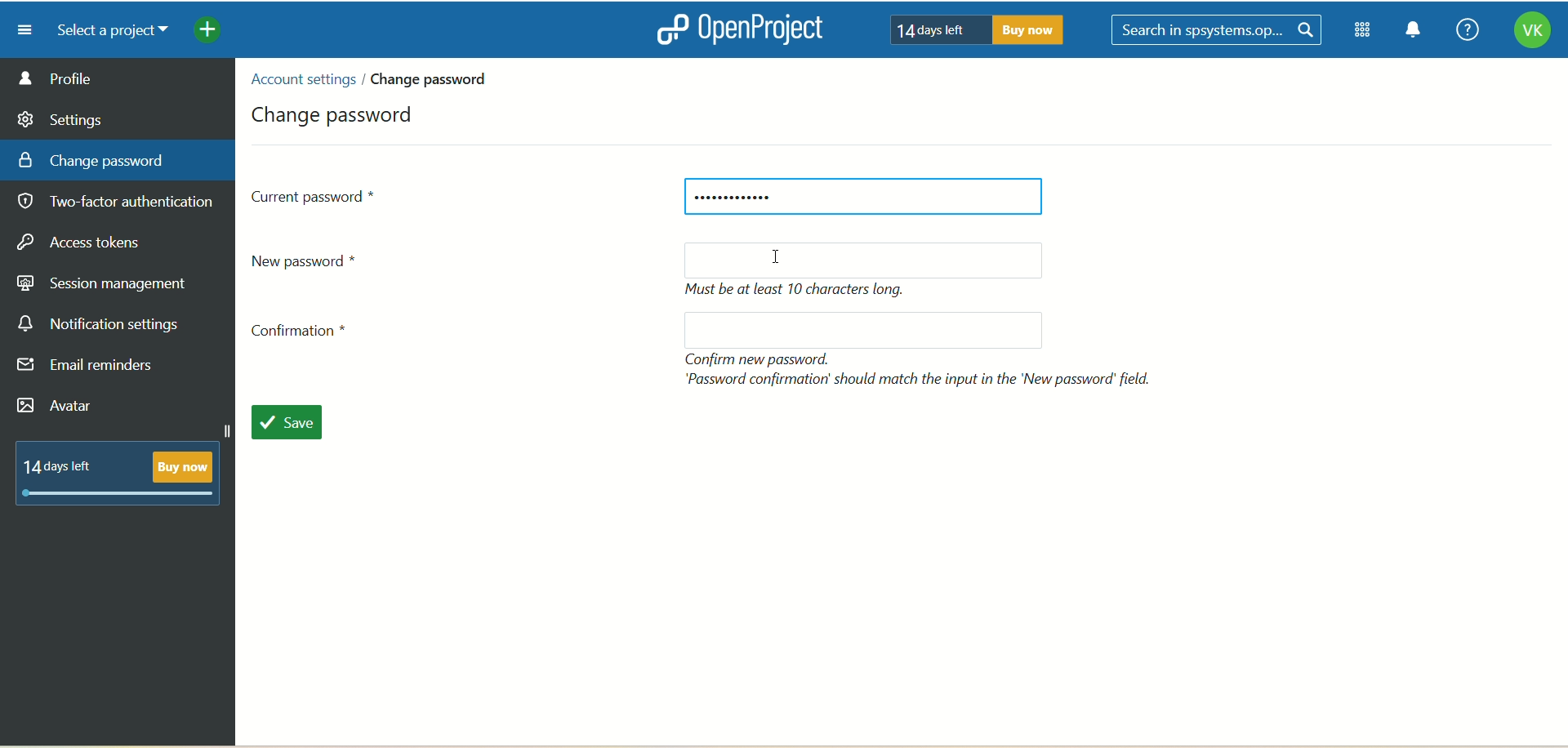  Describe the element at coordinates (86, 243) in the screenshot. I see `access takers` at that location.